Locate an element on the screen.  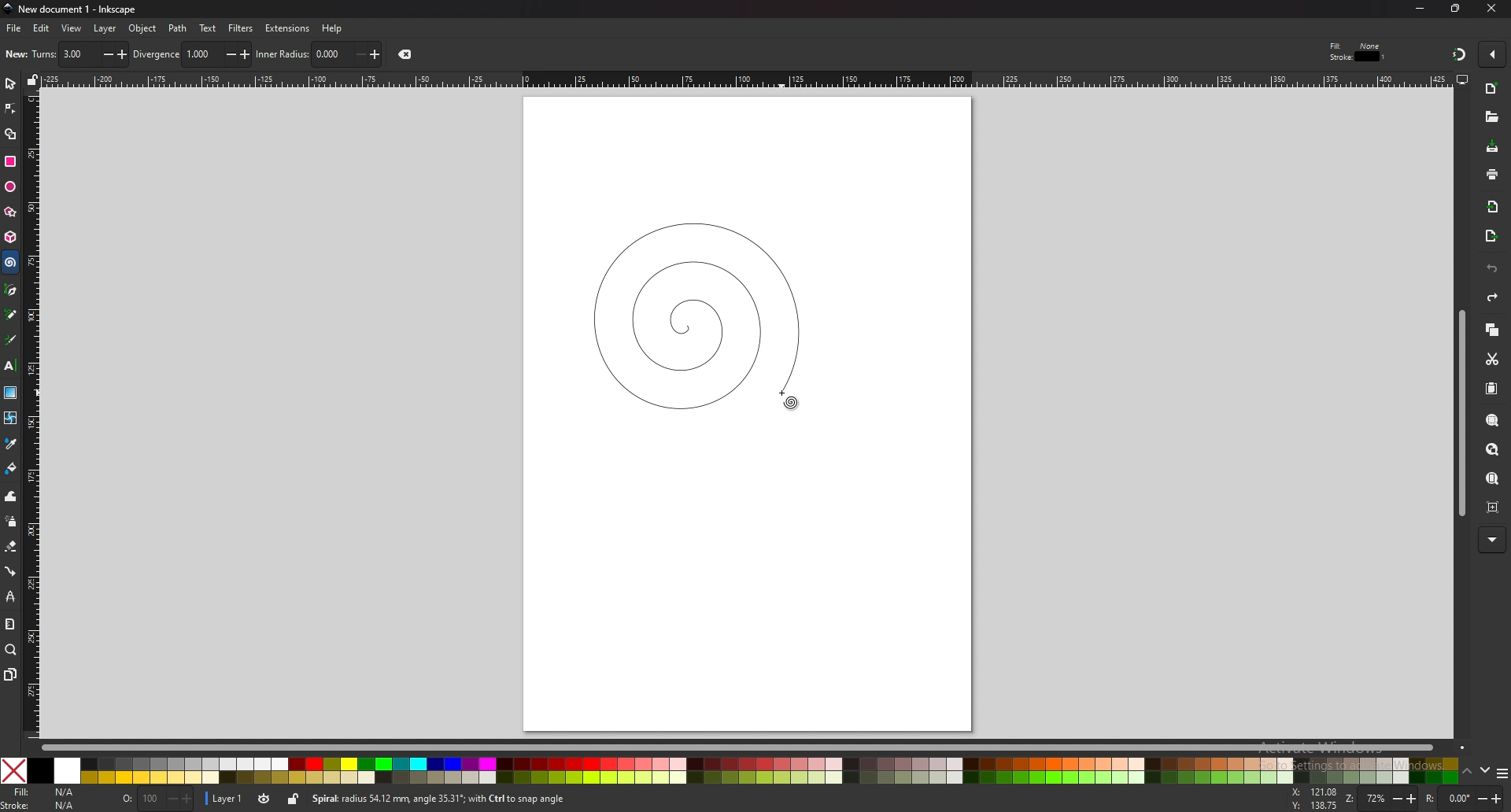
paint bucket is located at coordinates (10, 468).